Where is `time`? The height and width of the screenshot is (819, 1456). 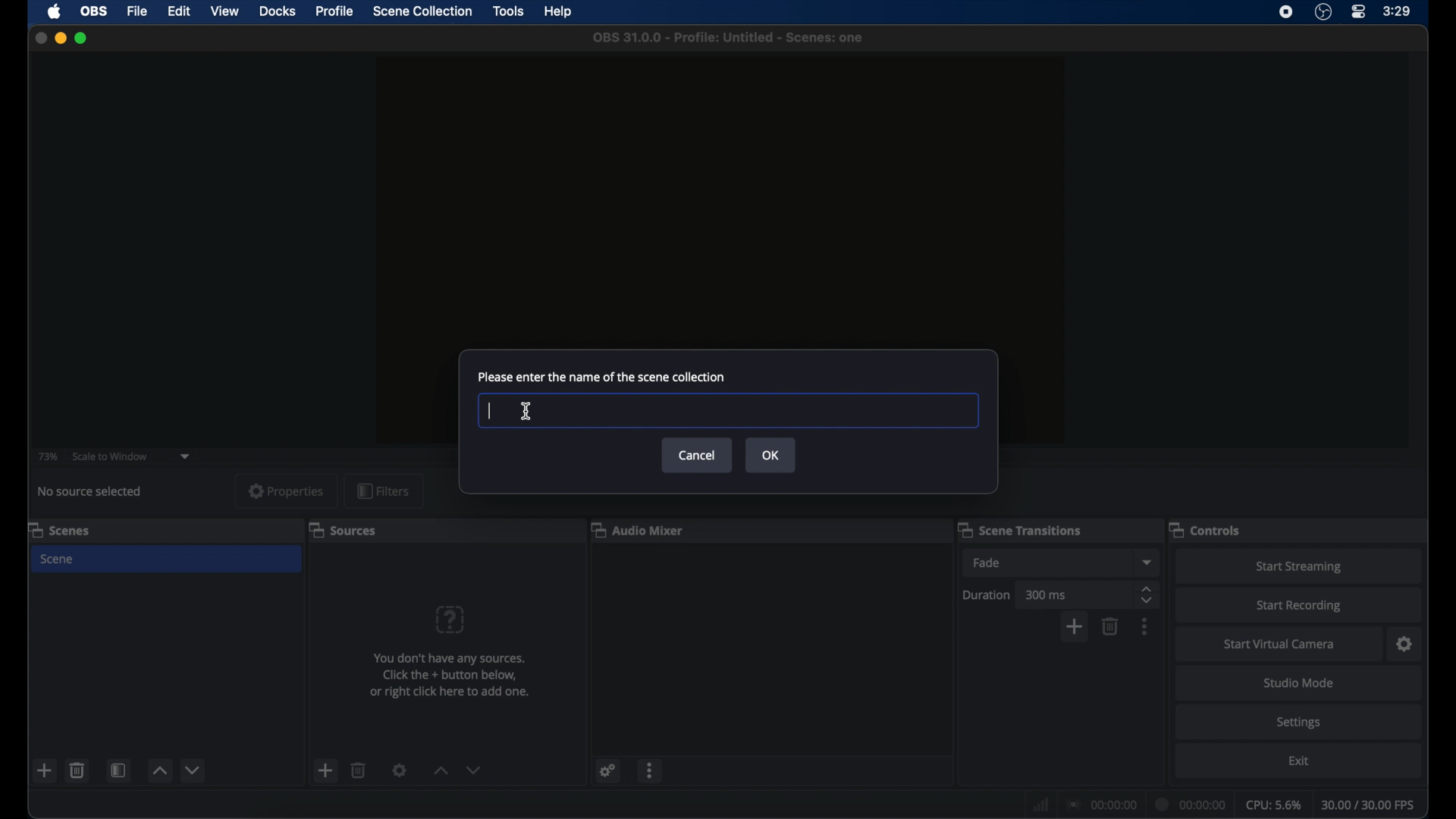 time is located at coordinates (1398, 11).